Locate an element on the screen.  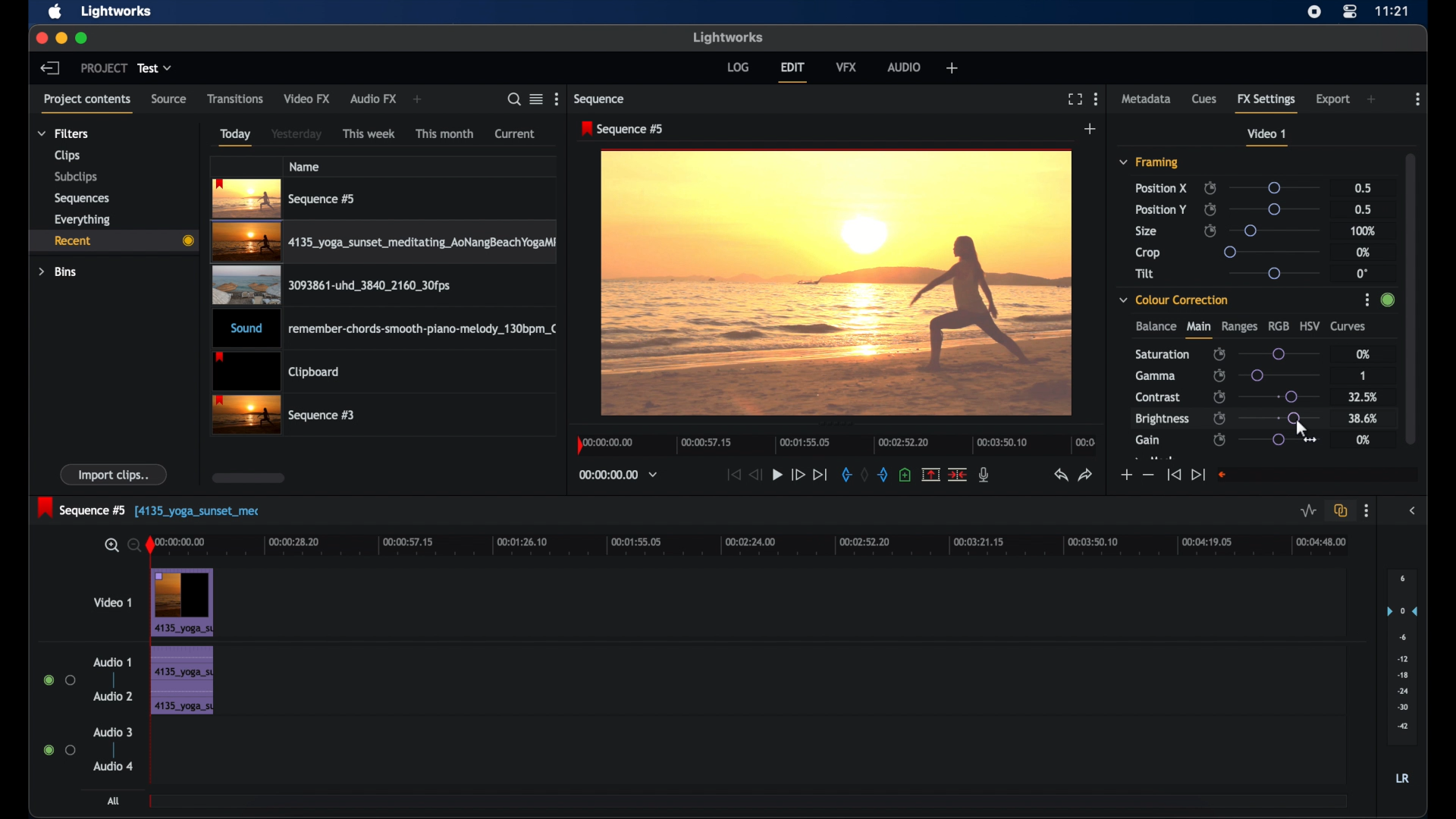
undo is located at coordinates (1059, 475).